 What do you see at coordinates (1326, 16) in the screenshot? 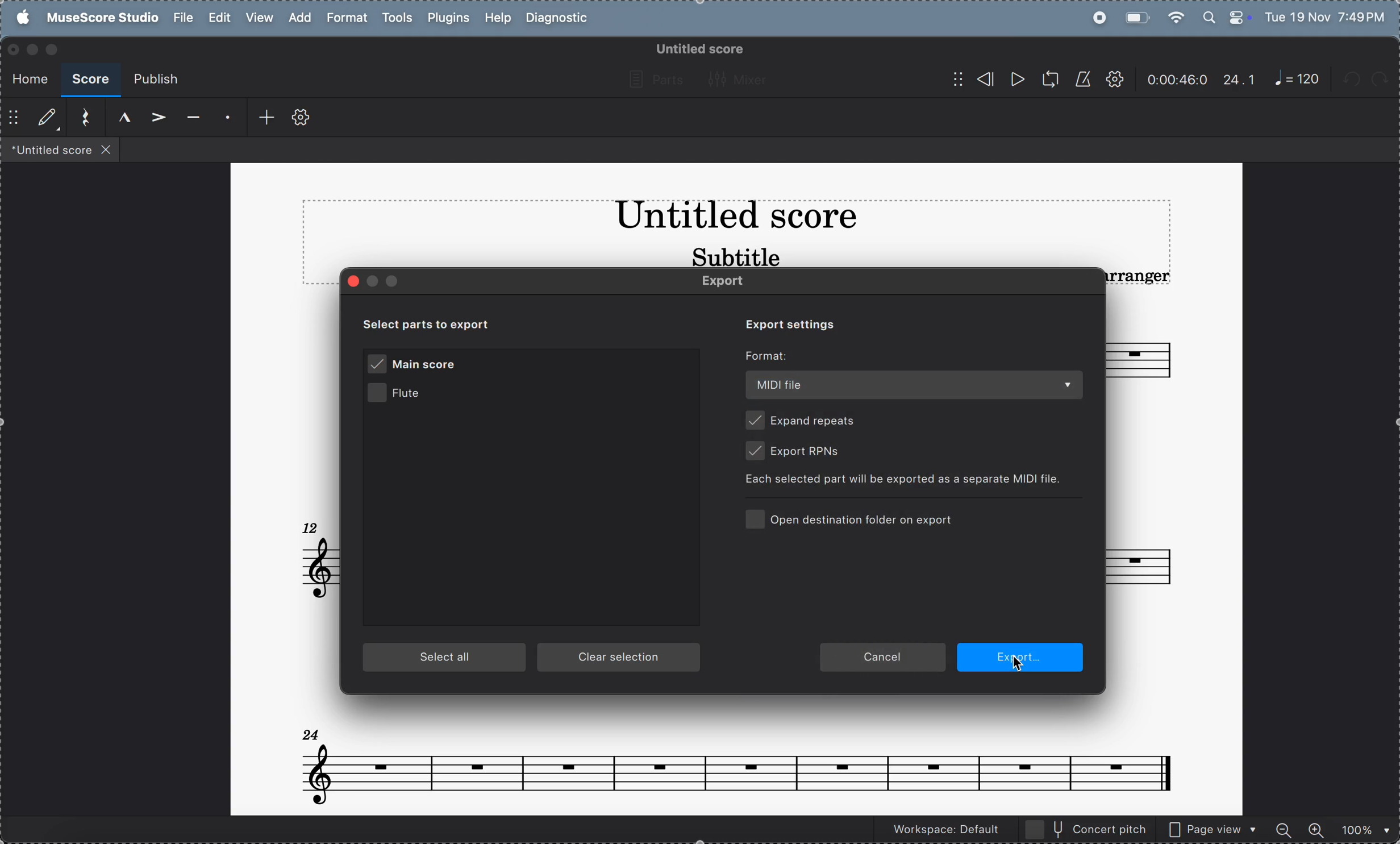
I see `date and time` at bounding box center [1326, 16].